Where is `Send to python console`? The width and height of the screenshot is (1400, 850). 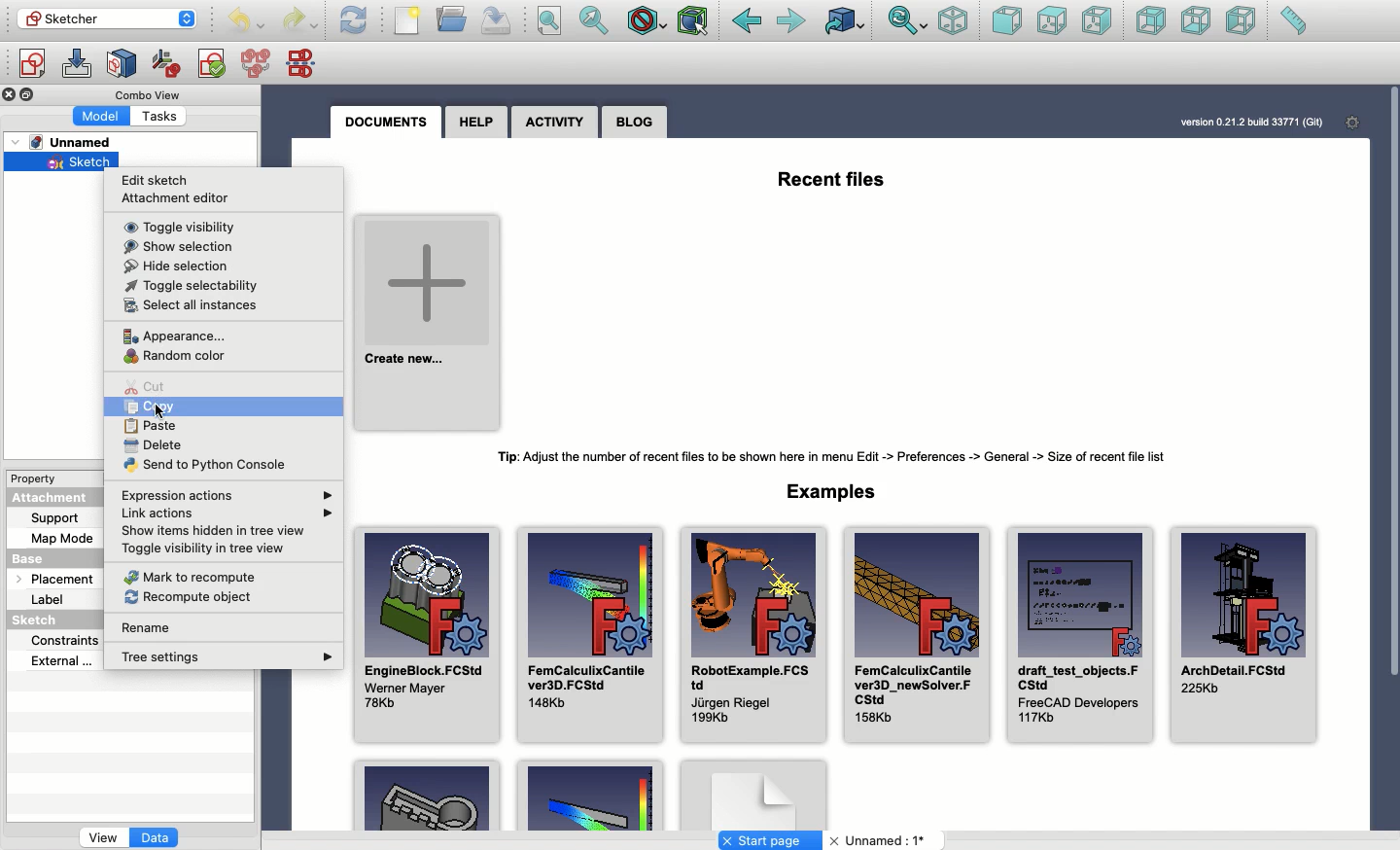
Send to python console is located at coordinates (204, 465).